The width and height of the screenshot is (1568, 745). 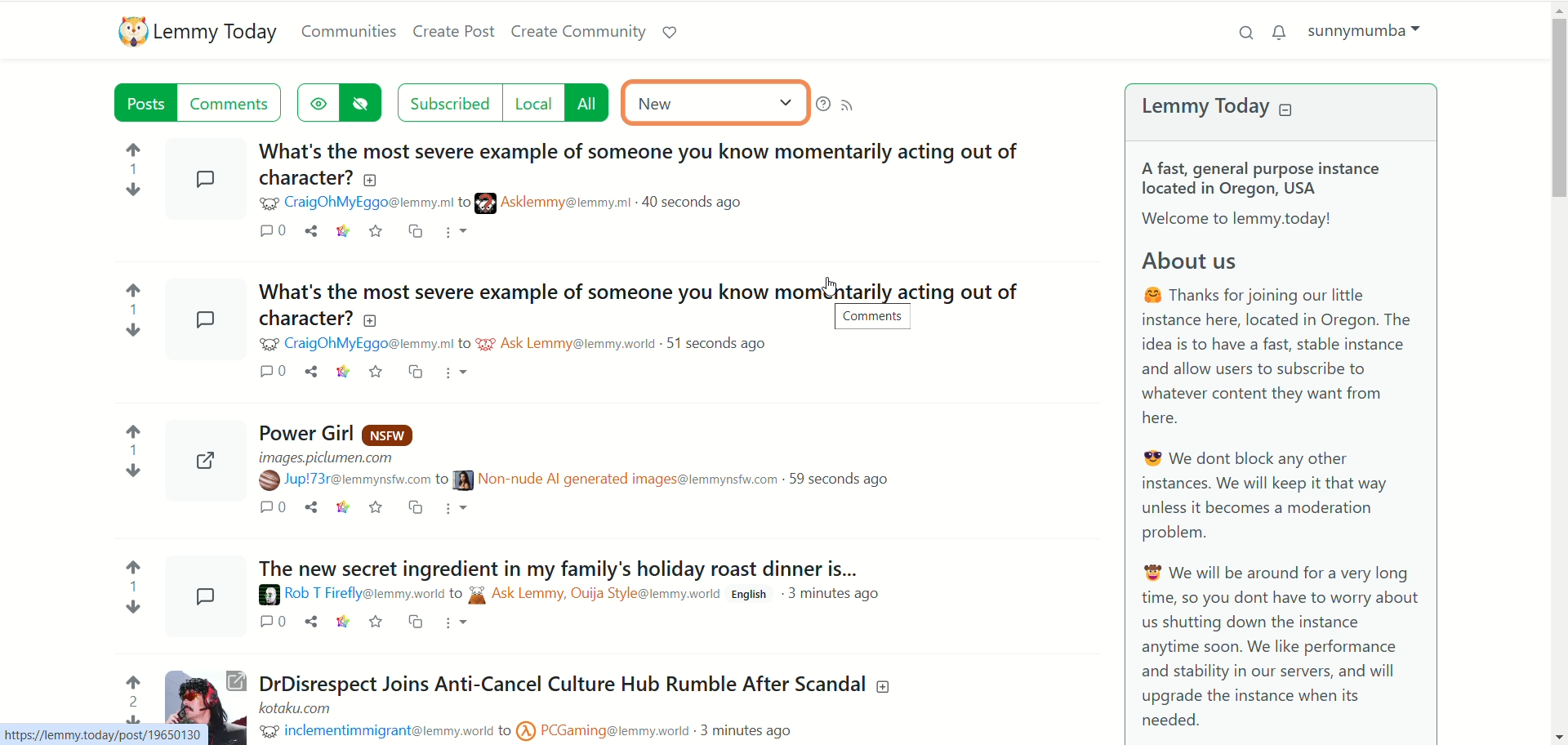 I want to click on Power Girl, so click(x=345, y=431).